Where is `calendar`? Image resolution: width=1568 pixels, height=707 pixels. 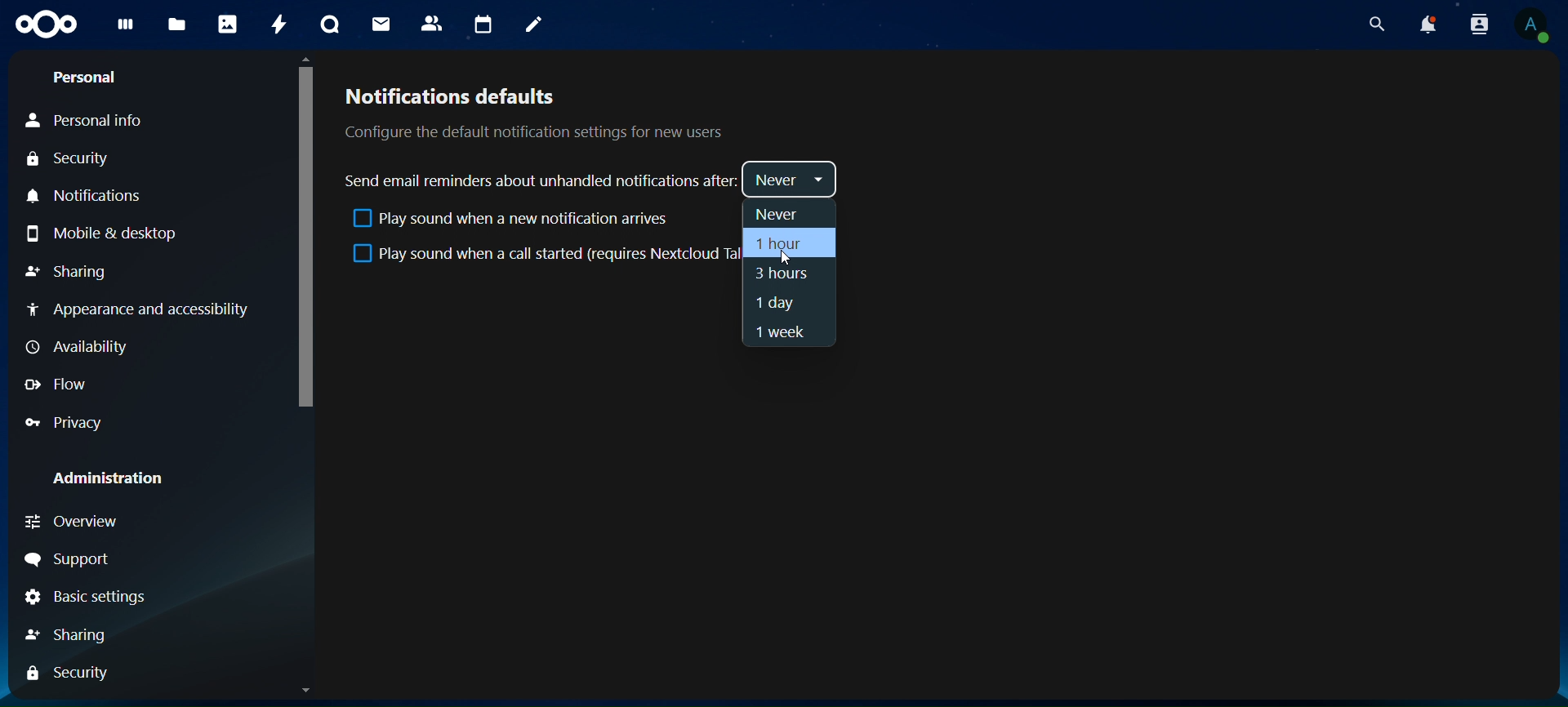 calendar is located at coordinates (481, 23).